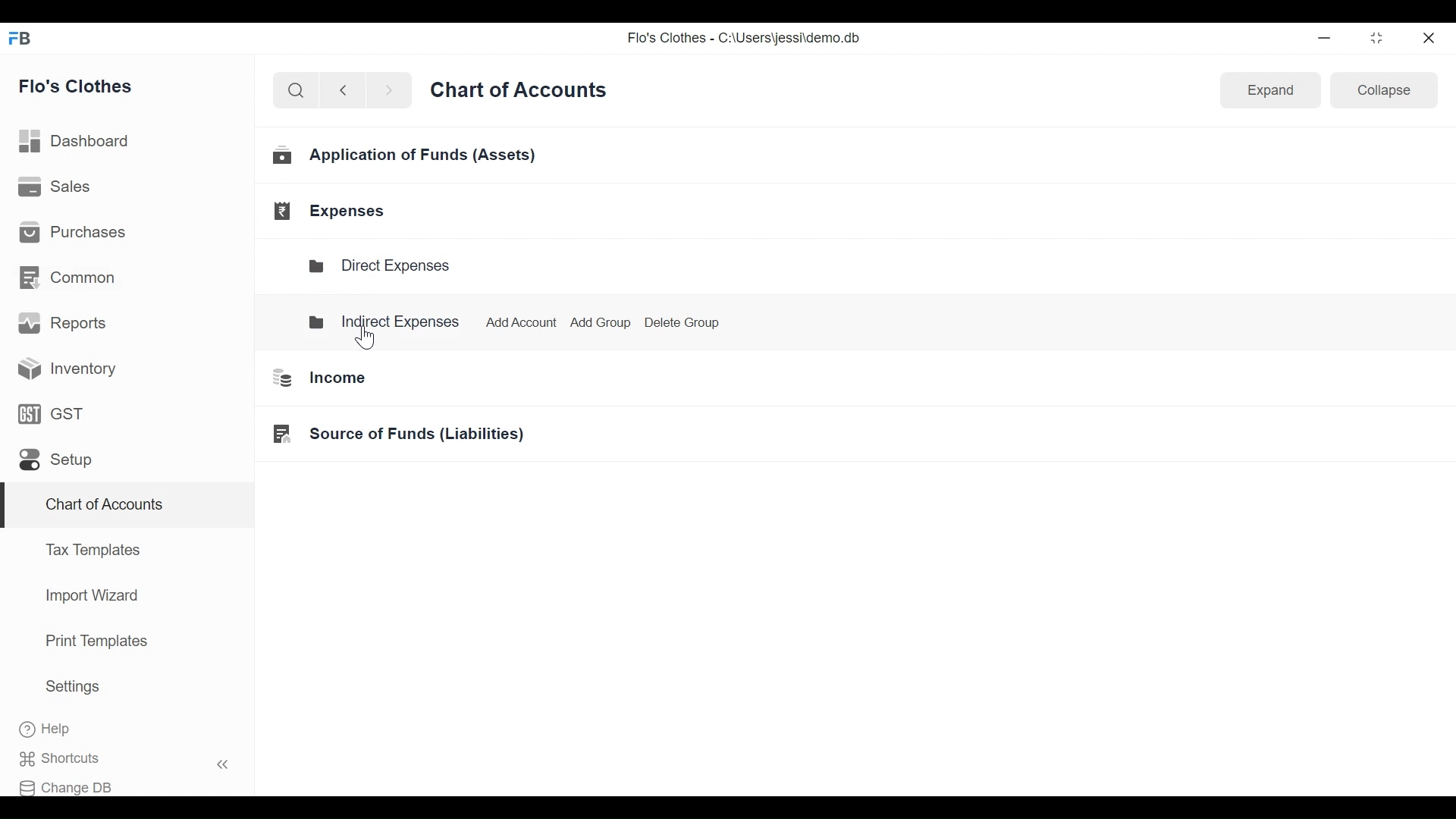 This screenshot has height=819, width=1456. What do you see at coordinates (374, 334) in the screenshot?
I see `Cursor` at bounding box center [374, 334].